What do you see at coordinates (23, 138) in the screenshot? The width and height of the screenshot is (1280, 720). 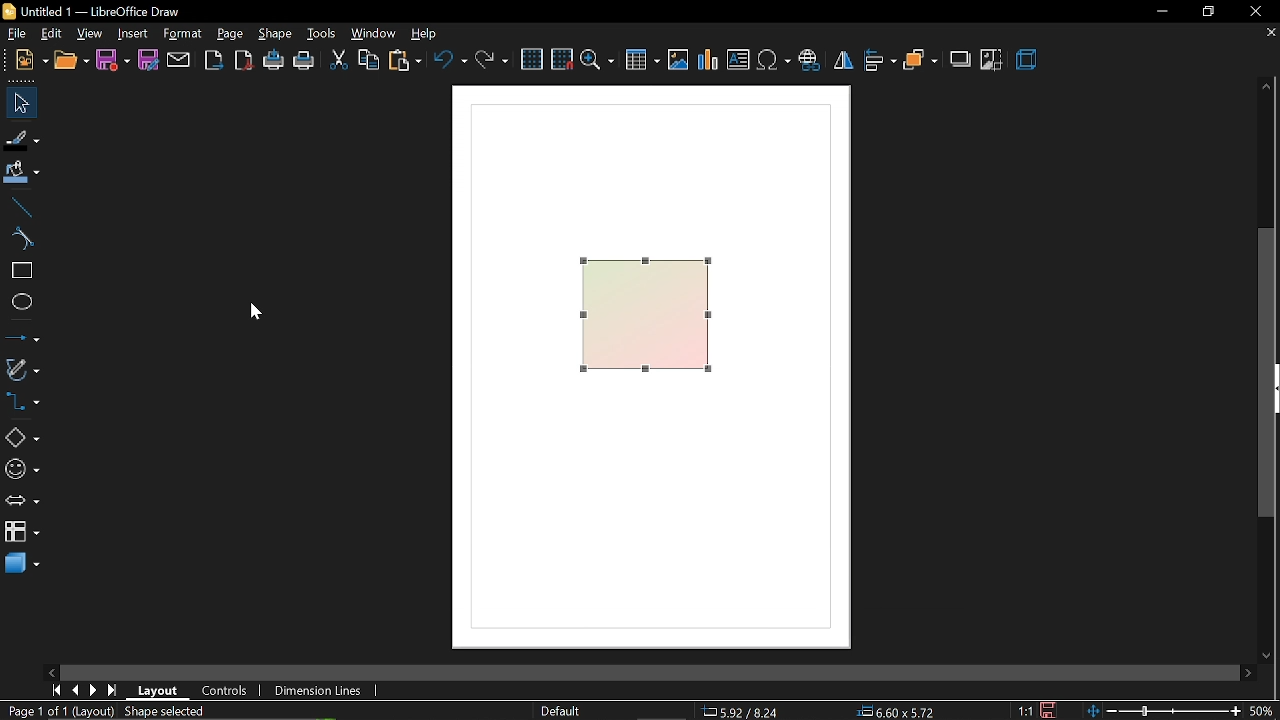 I see `fill line` at bounding box center [23, 138].